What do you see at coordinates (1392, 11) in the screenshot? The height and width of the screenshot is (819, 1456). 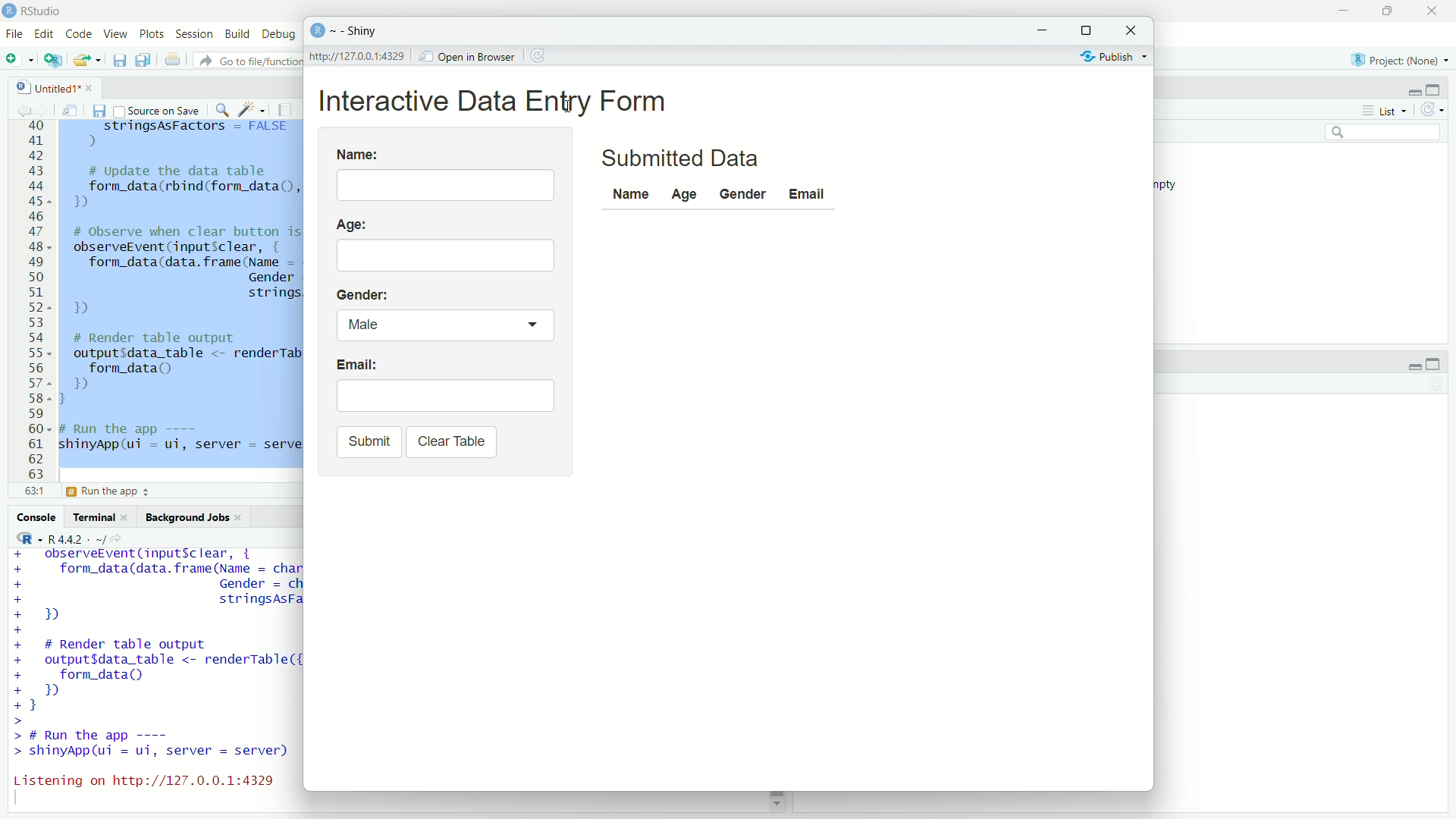 I see `maximize` at bounding box center [1392, 11].